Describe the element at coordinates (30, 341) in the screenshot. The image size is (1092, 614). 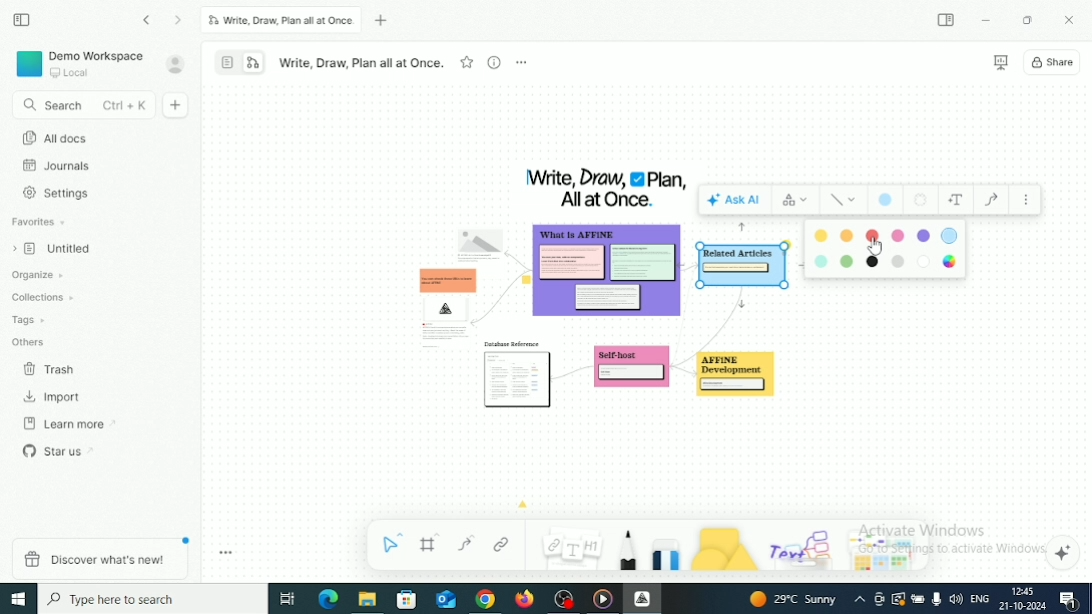
I see `Others` at that location.